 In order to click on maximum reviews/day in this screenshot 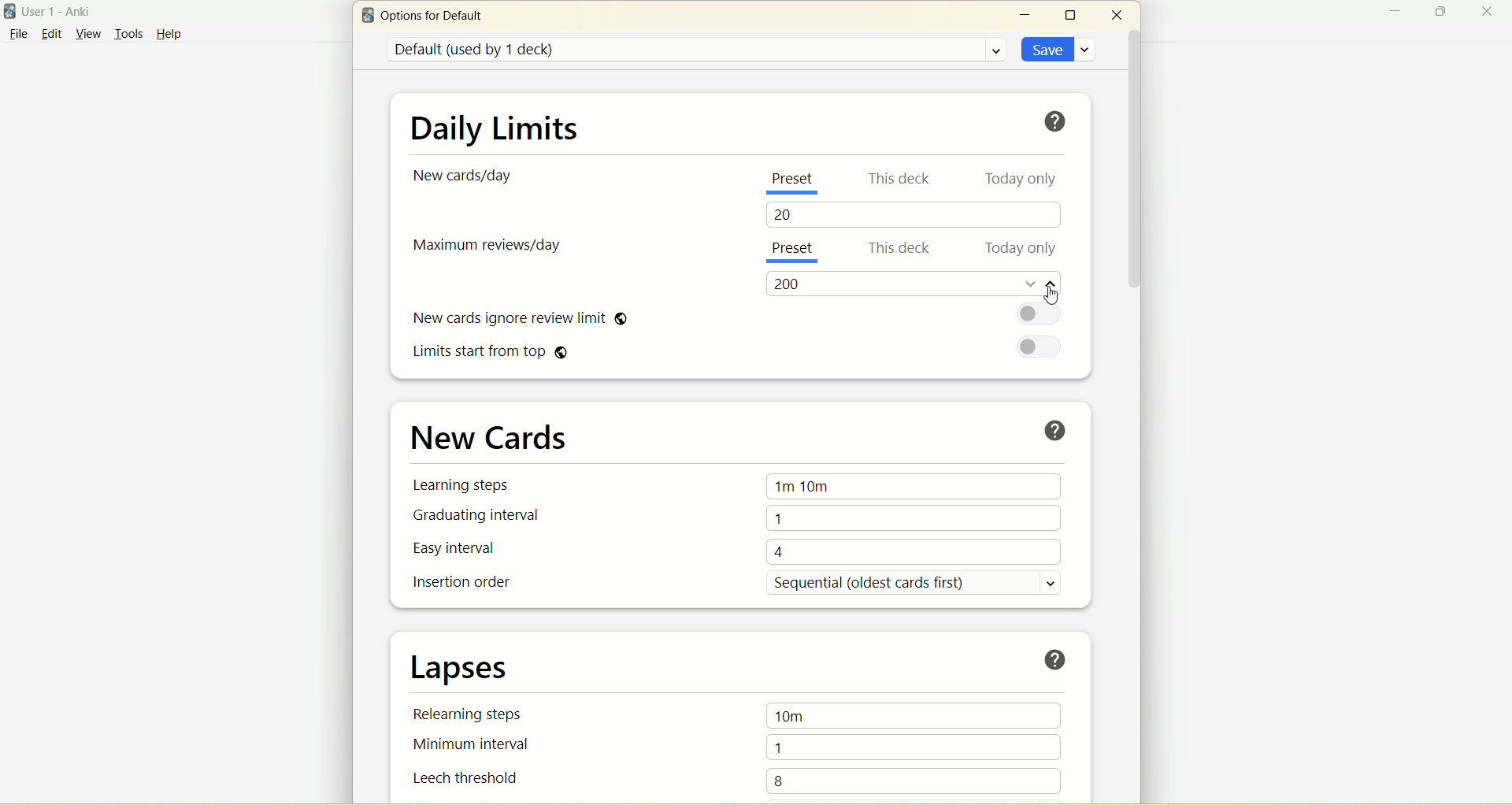, I will do `click(484, 248)`.